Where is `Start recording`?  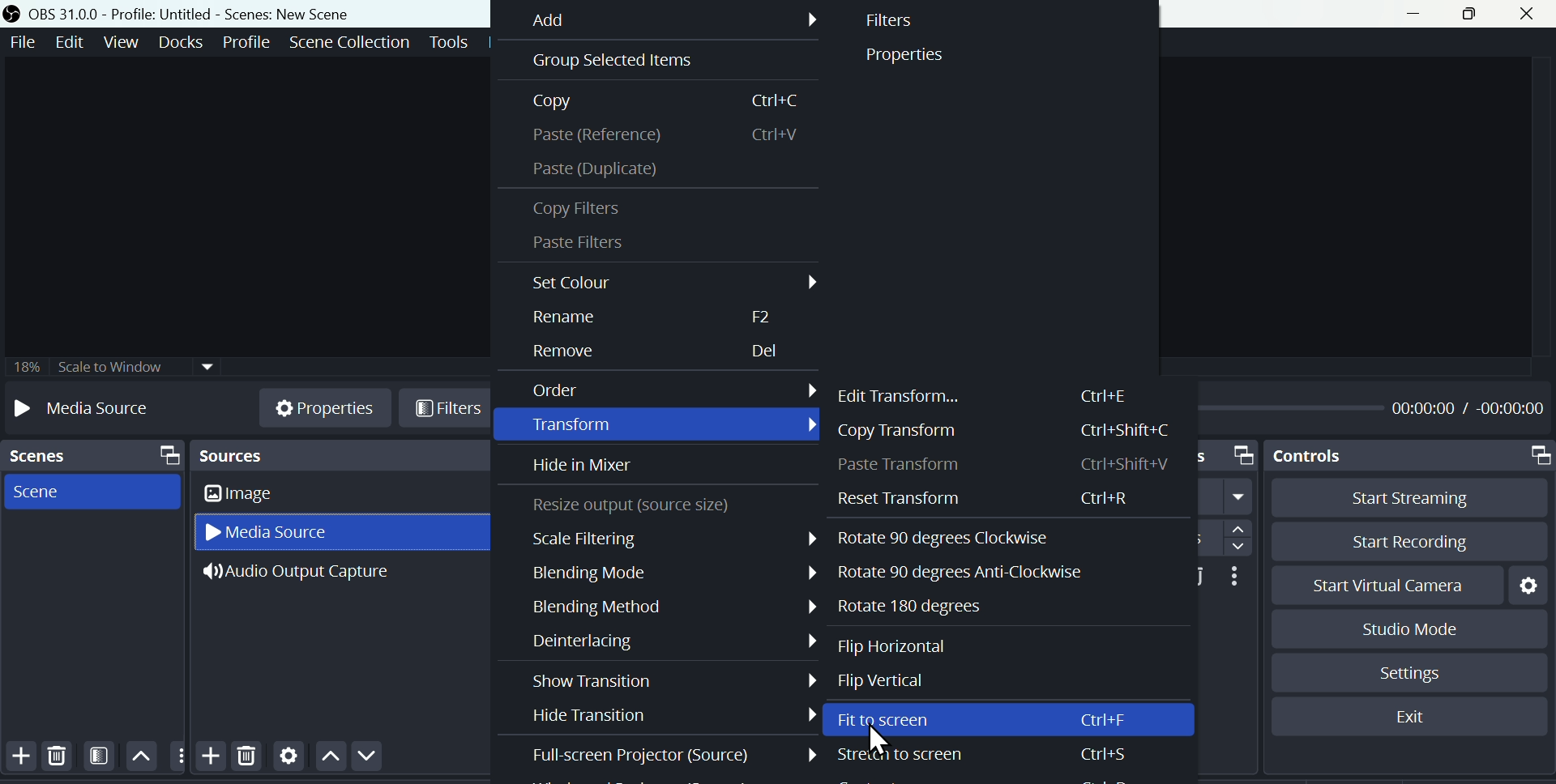
Start recording is located at coordinates (1399, 539).